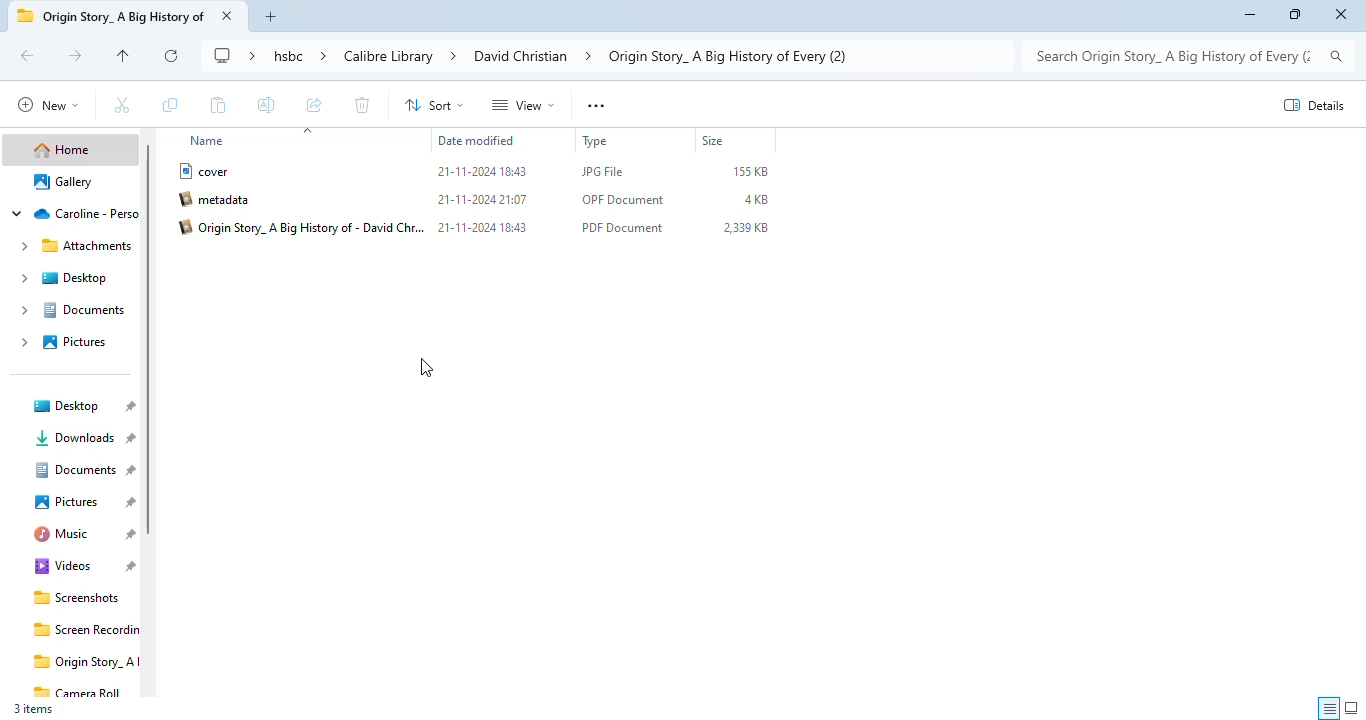 This screenshot has width=1366, height=720. What do you see at coordinates (484, 200) in the screenshot?
I see `modified date & time` at bounding box center [484, 200].